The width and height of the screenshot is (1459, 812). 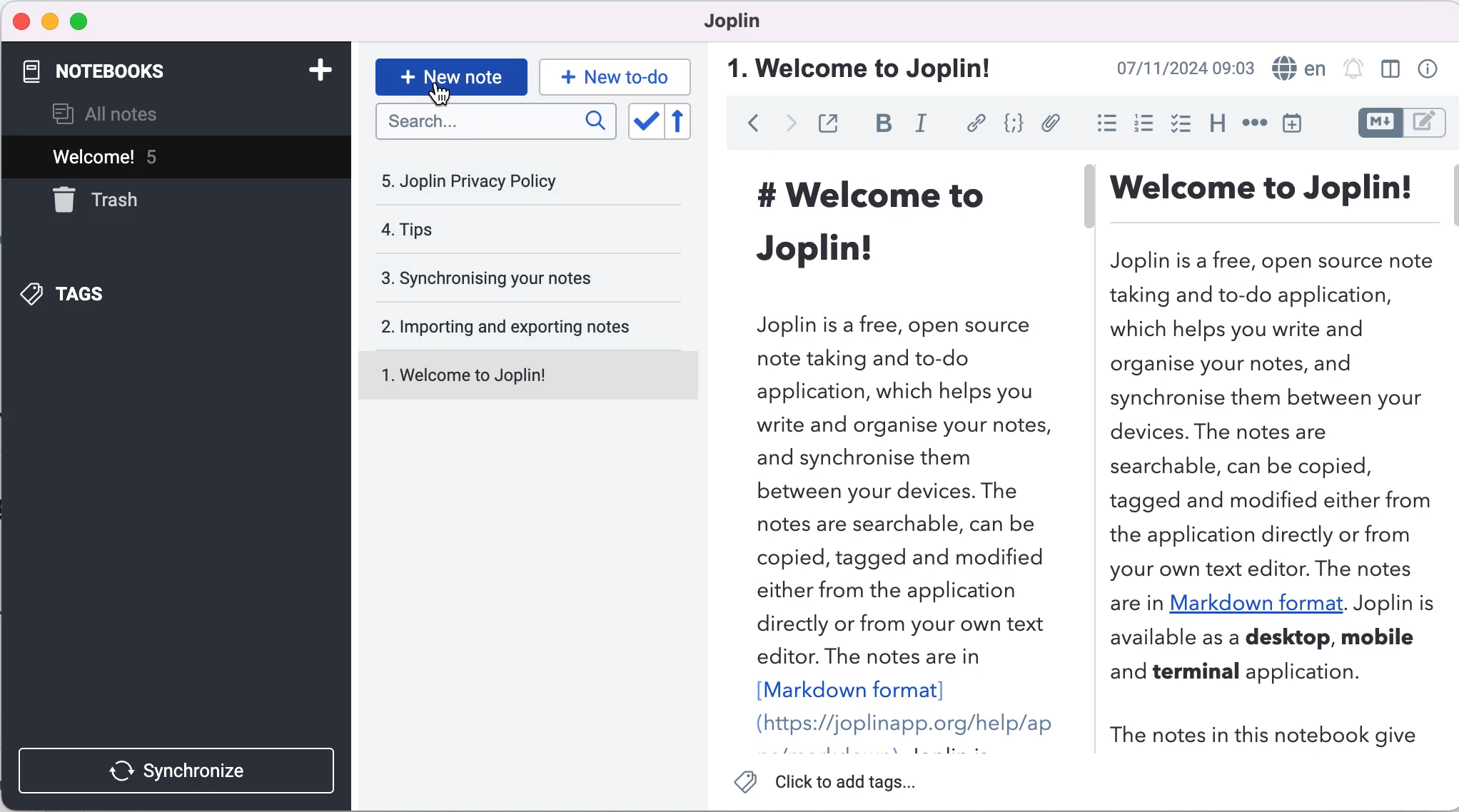 I want to click on numbered list, so click(x=1144, y=126).